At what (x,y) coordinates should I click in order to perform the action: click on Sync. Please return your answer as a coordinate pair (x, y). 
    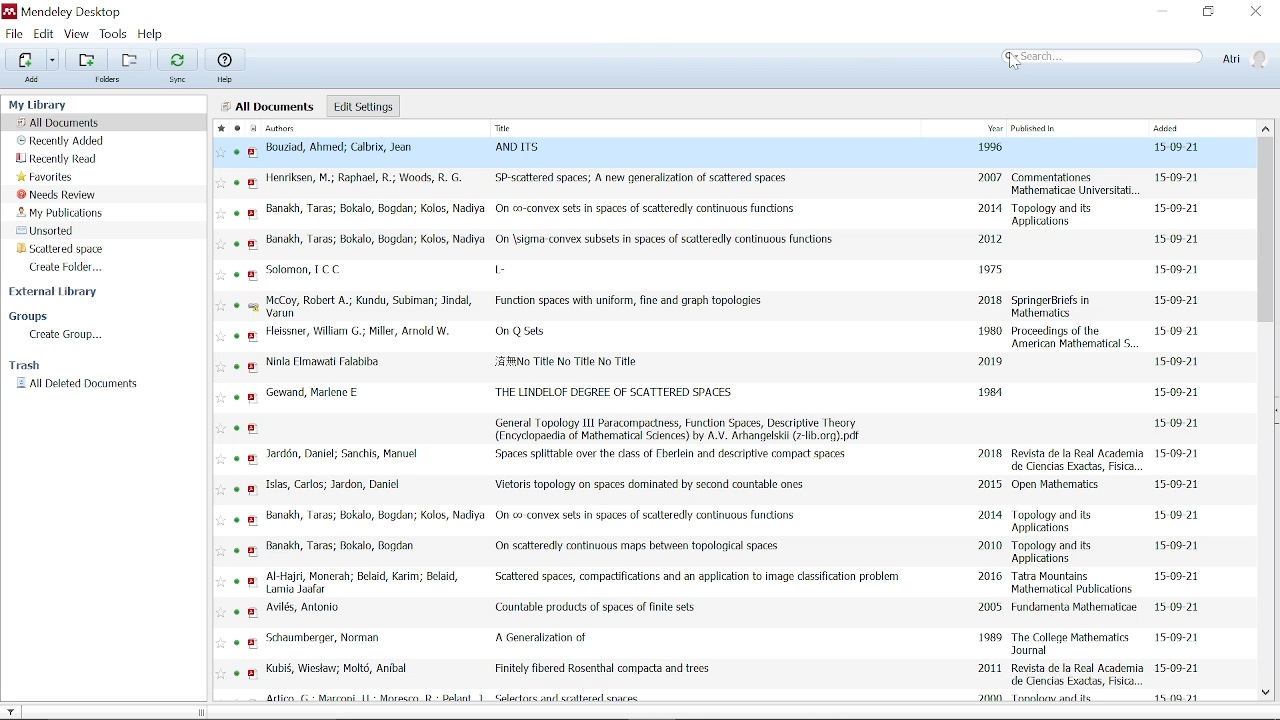
    Looking at the image, I should click on (178, 65).